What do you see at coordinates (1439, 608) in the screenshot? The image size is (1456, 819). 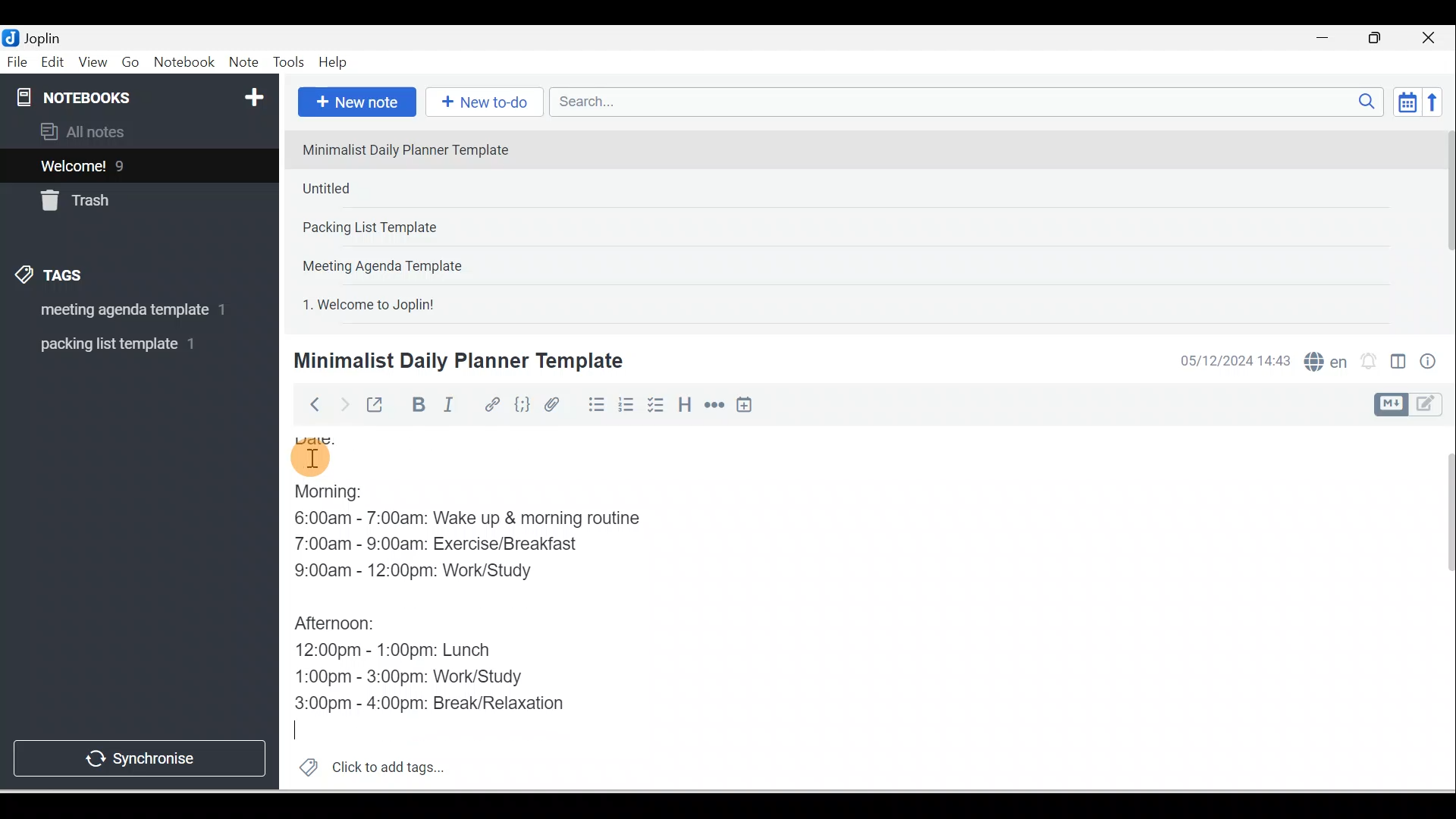 I see `Scroll bar` at bounding box center [1439, 608].